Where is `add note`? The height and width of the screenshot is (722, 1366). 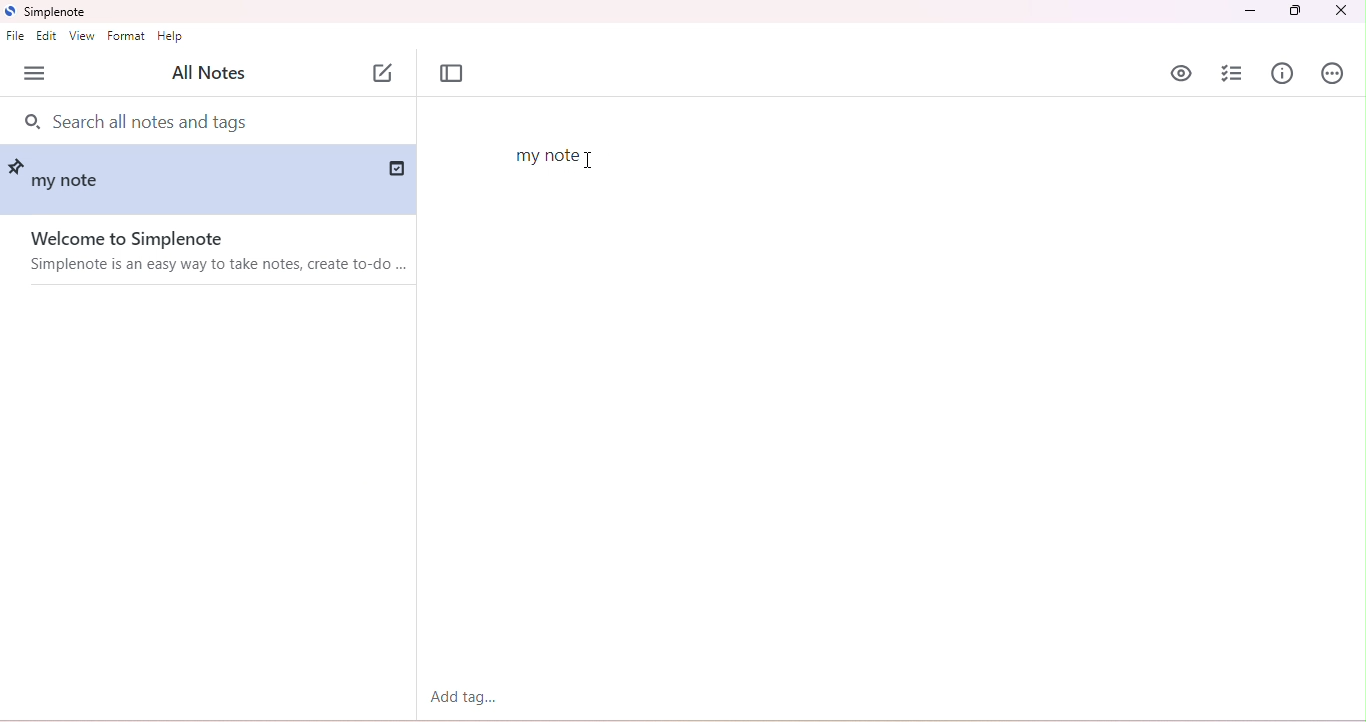
add note is located at coordinates (383, 74).